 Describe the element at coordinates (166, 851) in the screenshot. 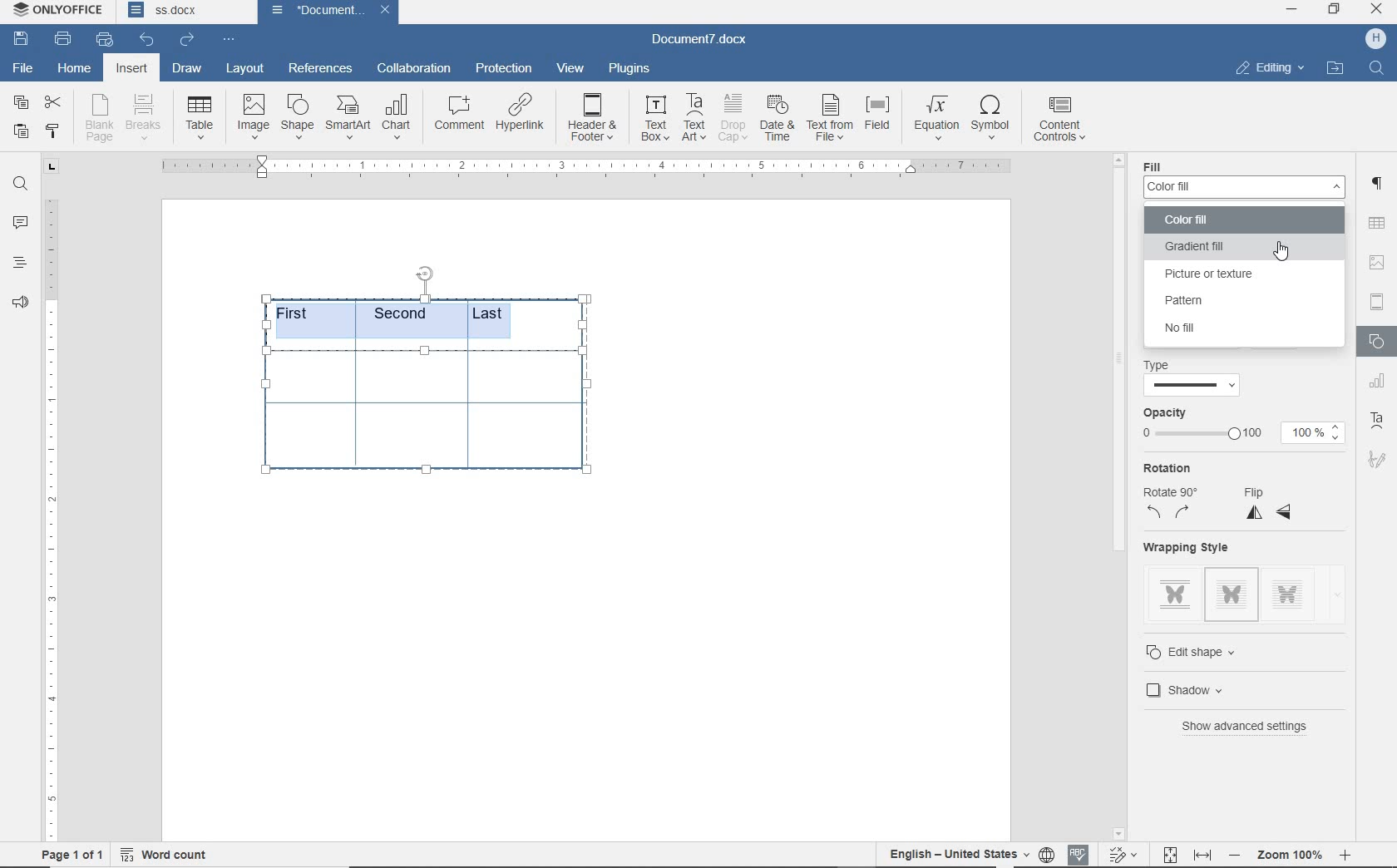

I see `word count` at that location.